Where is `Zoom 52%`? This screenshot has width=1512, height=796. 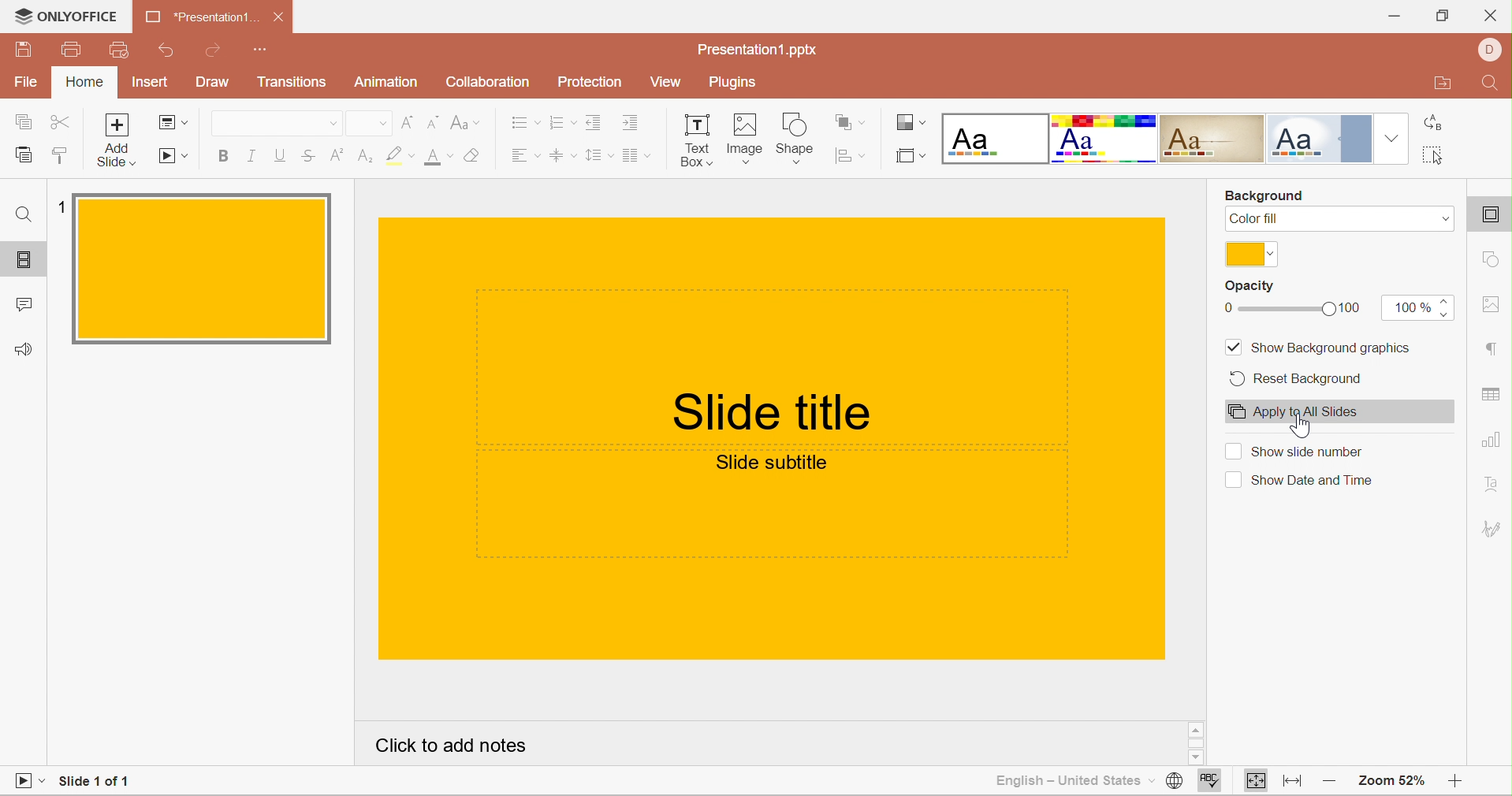 Zoom 52% is located at coordinates (1387, 781).